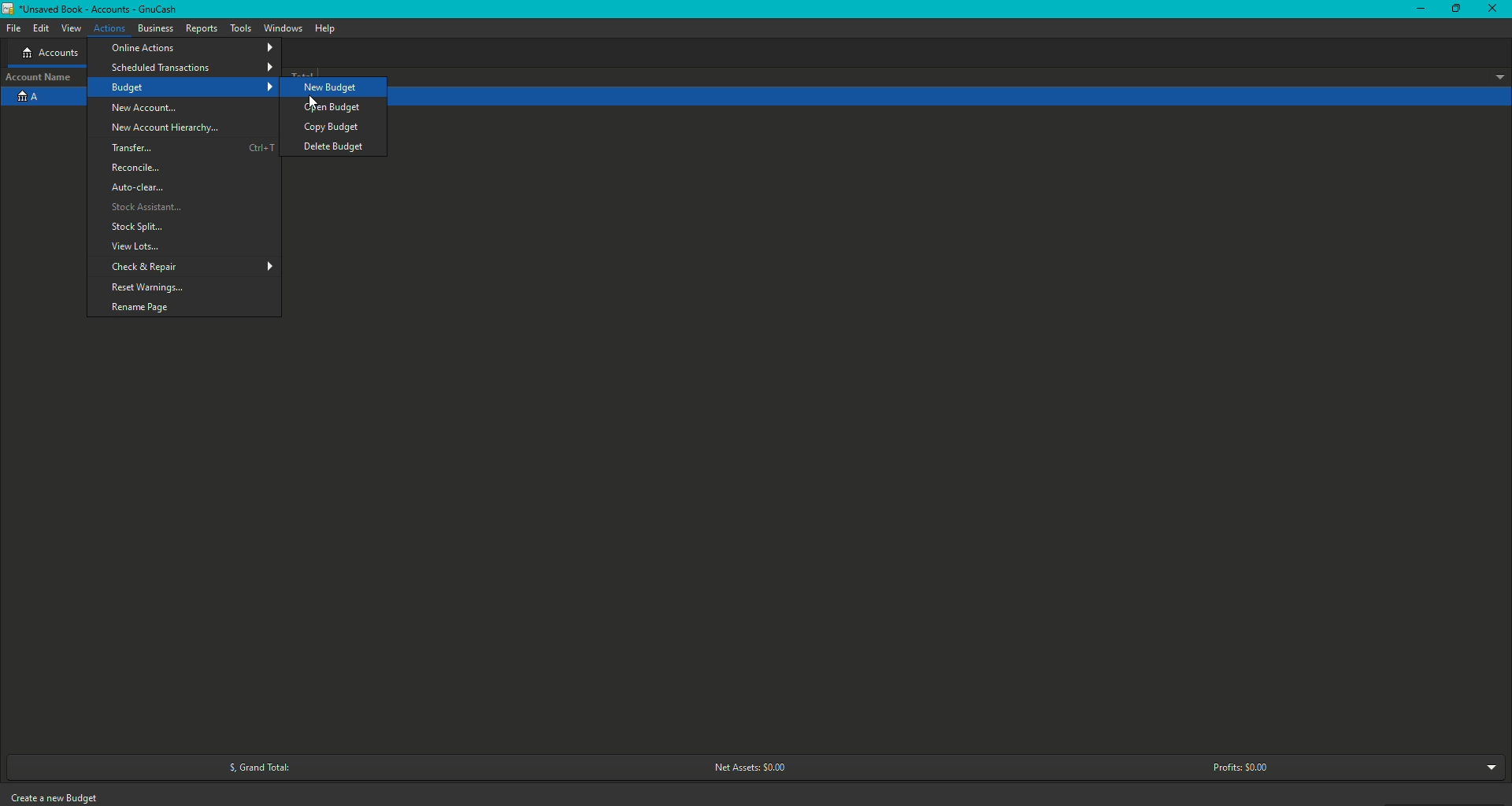  What do you see at coordinates (191, 87) in the screenshot?
I see `Budget` at bounding box center [191, 87].